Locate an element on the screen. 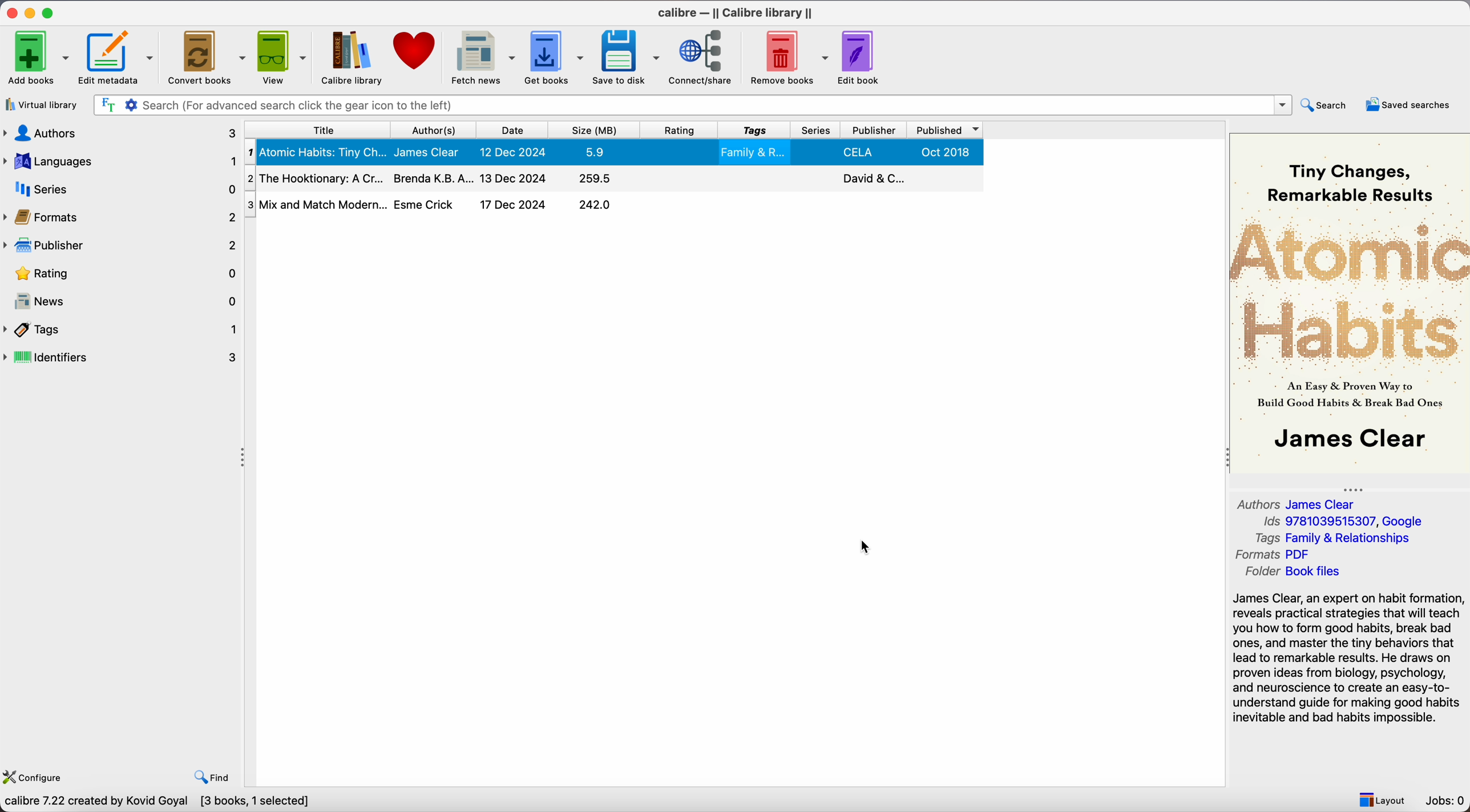 Image resolution: width=1470 pixels, height=812 pixels. rating is located at coordinates (680, 130).